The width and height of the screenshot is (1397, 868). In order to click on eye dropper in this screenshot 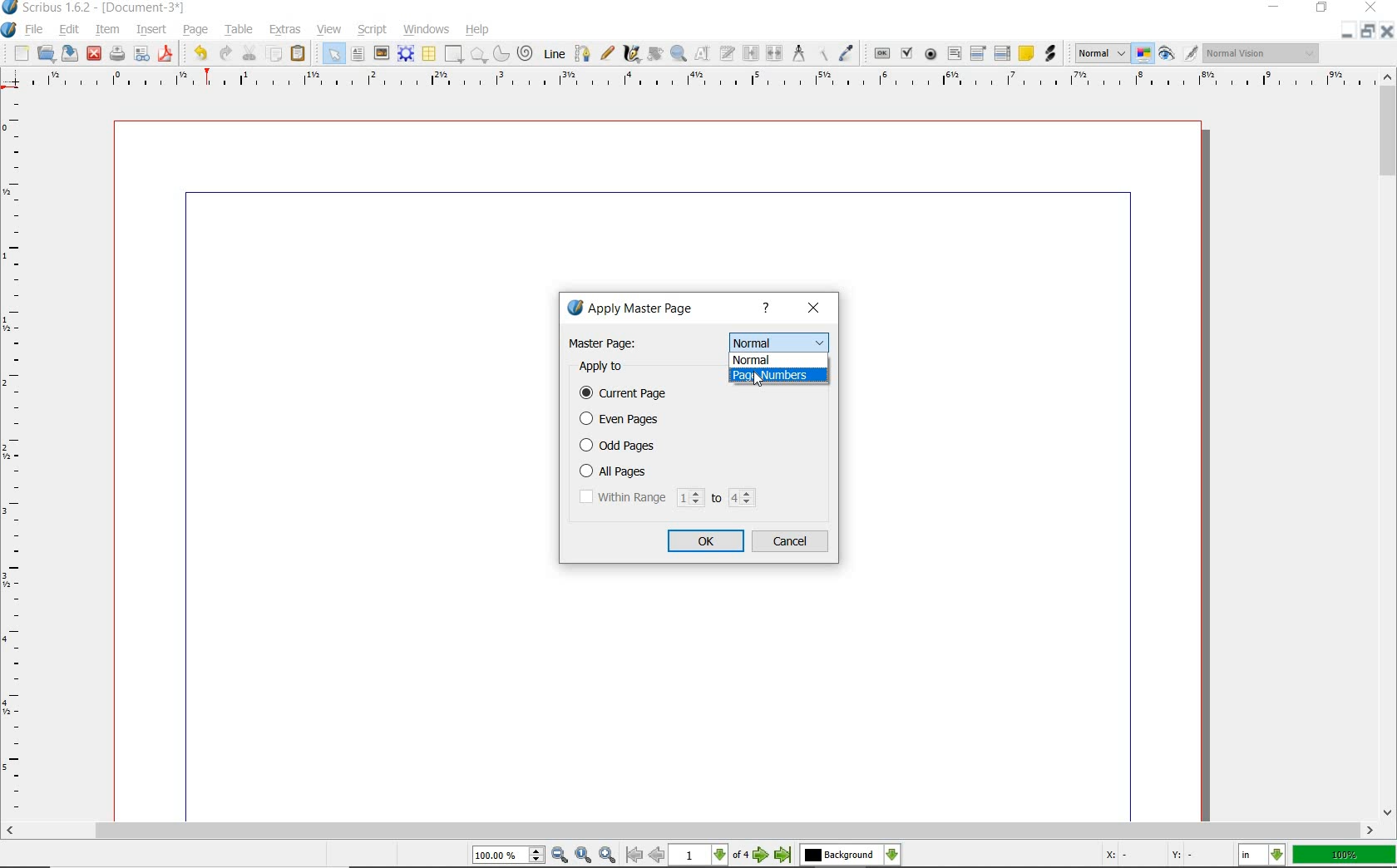, I will do `click(846, 54)`.